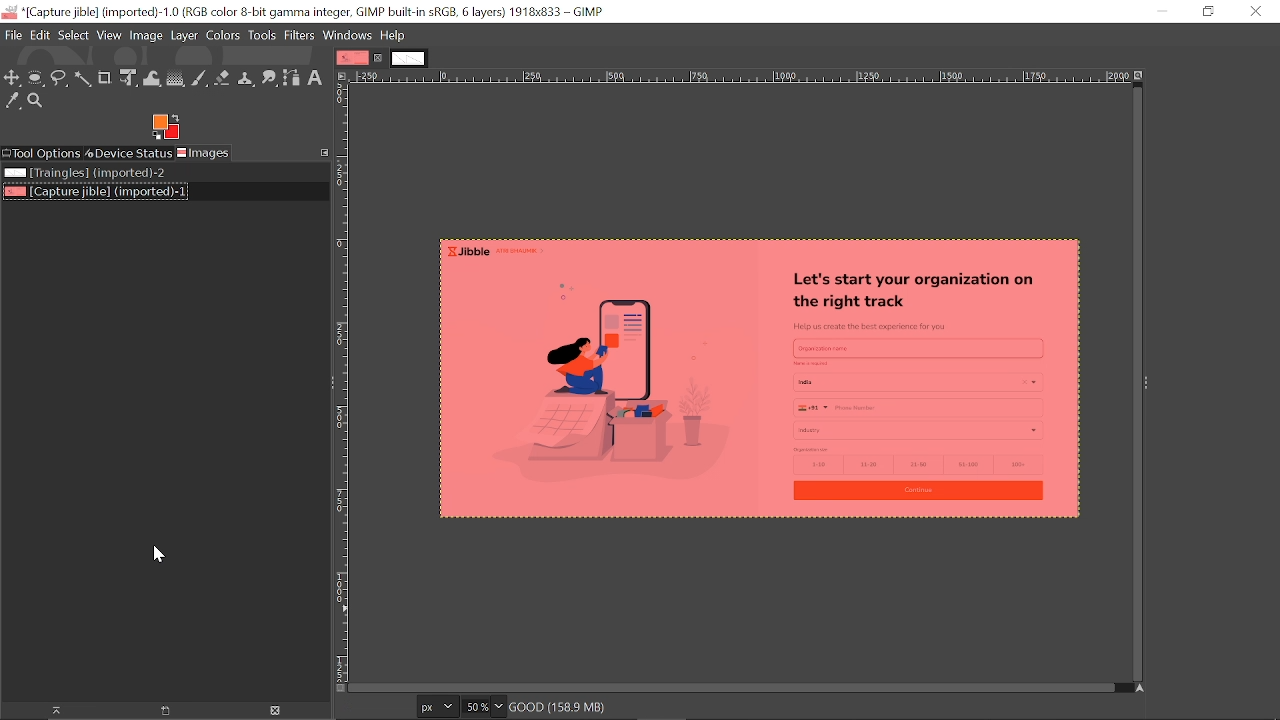 This screenshot has height=720, width=1280. What do you see at coordinates (475, 706) in the screenshot?
I see `Current zoom` at bounding box center [475, 706].